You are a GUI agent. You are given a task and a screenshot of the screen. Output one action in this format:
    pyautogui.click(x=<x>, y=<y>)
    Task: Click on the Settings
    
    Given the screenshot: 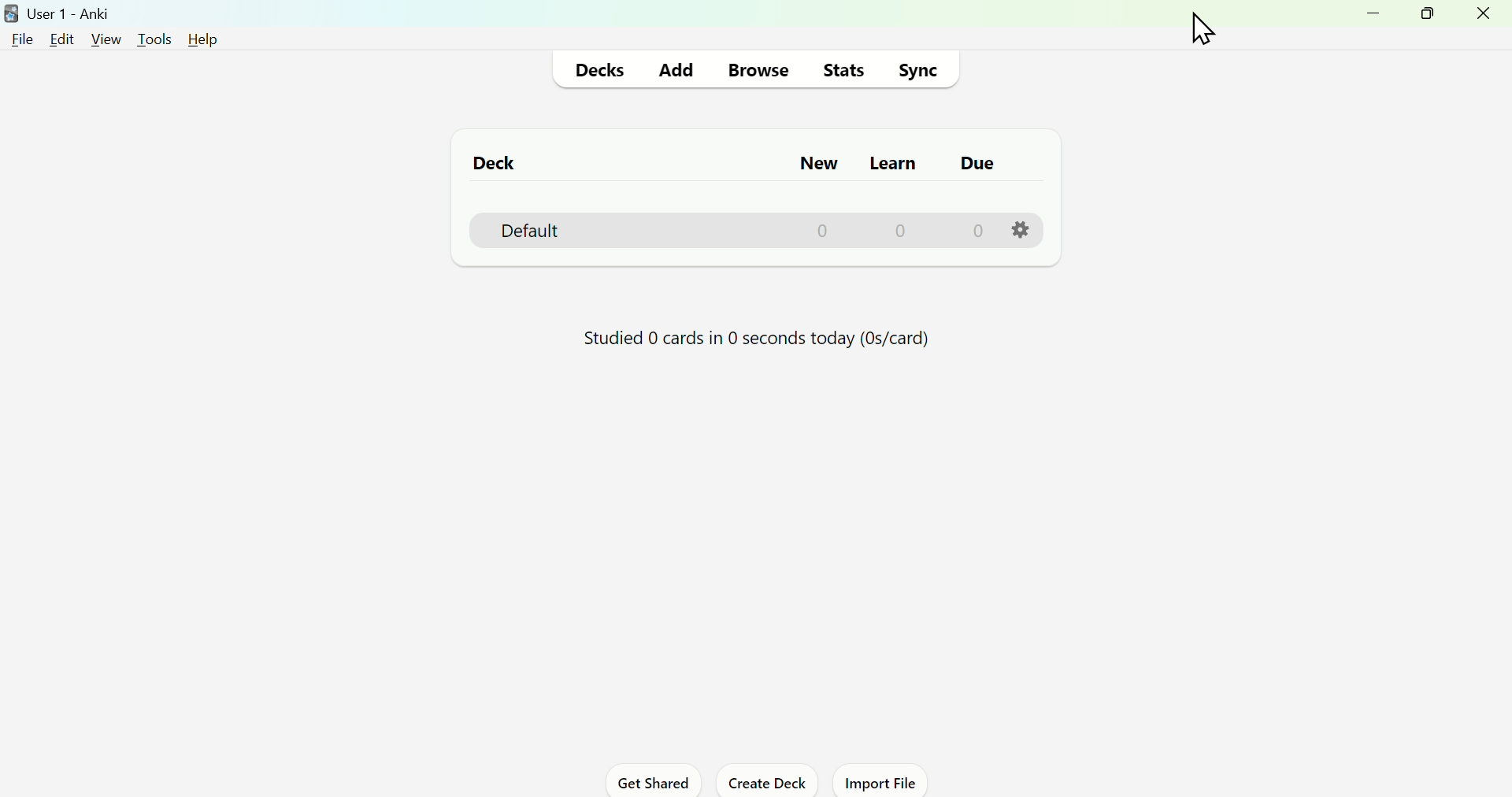 What is the action you would take?
    pyautogui.click(x=1021, y=228)
    